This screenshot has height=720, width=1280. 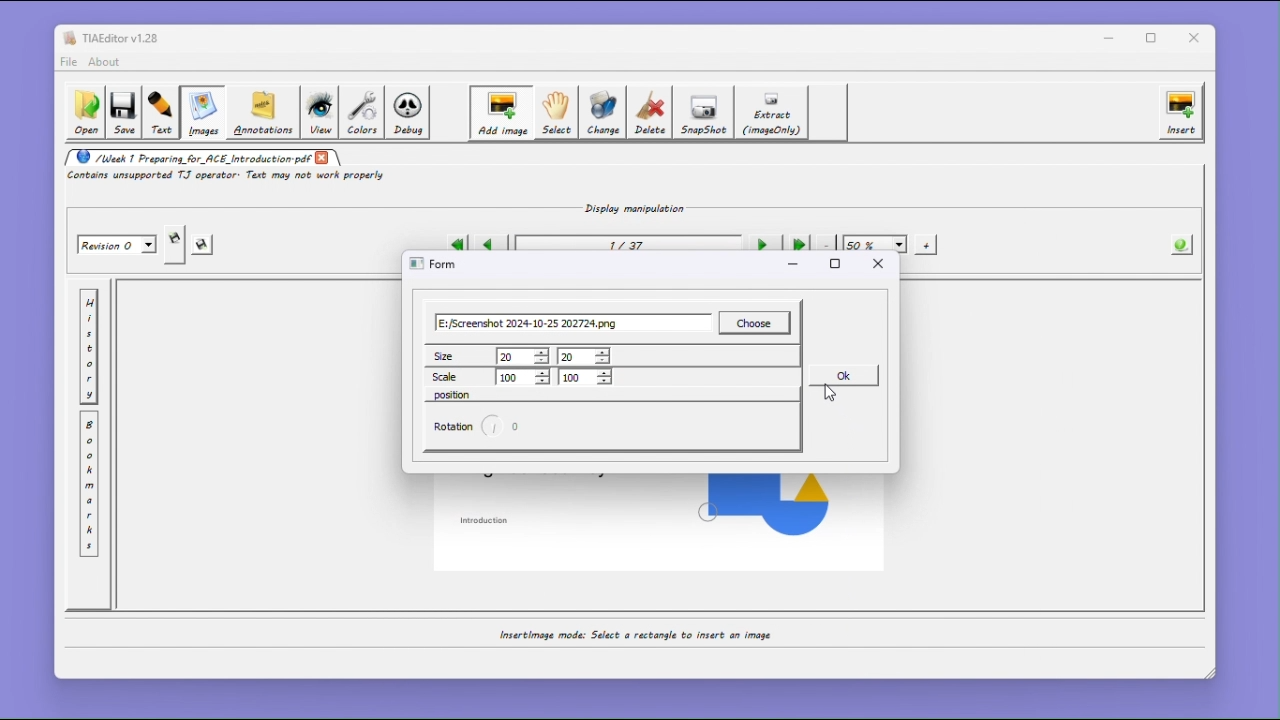 What do you see at coordinates (410, 113) in the screenshot?
I see `Debug` at bounding box center [410, 113].